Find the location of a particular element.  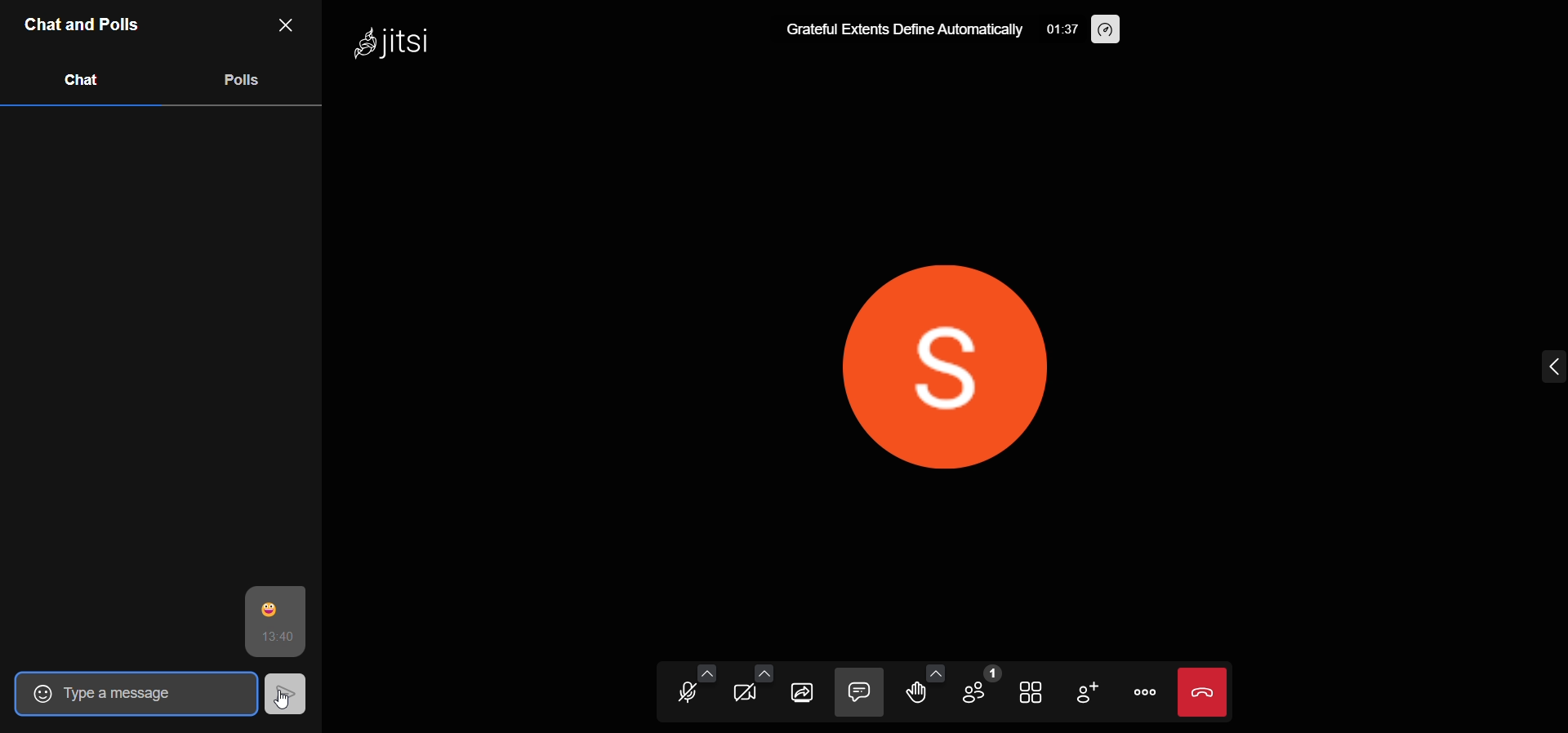

raise hand is located at coordinates (918, 695).